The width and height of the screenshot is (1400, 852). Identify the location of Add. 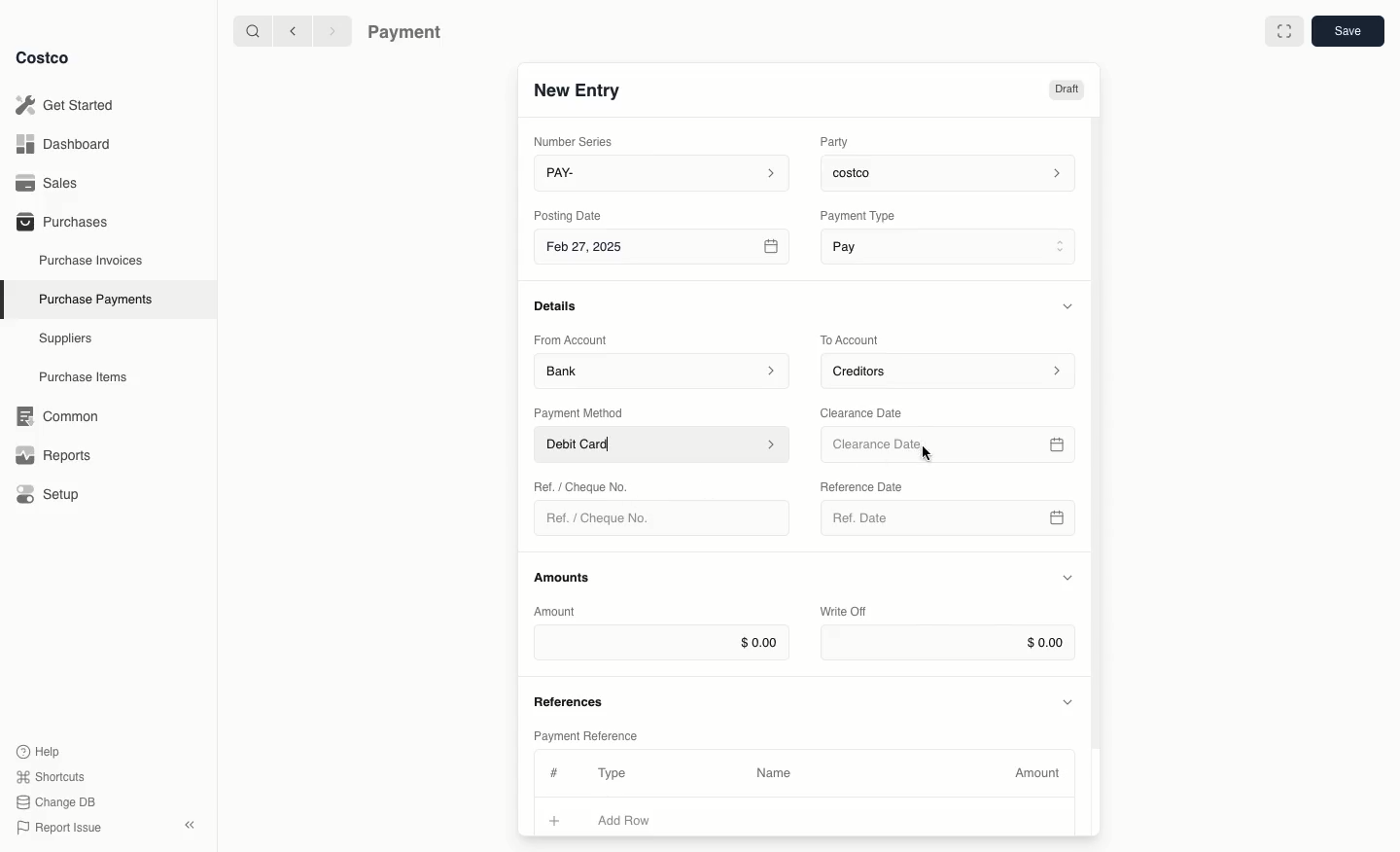
(555, 818).